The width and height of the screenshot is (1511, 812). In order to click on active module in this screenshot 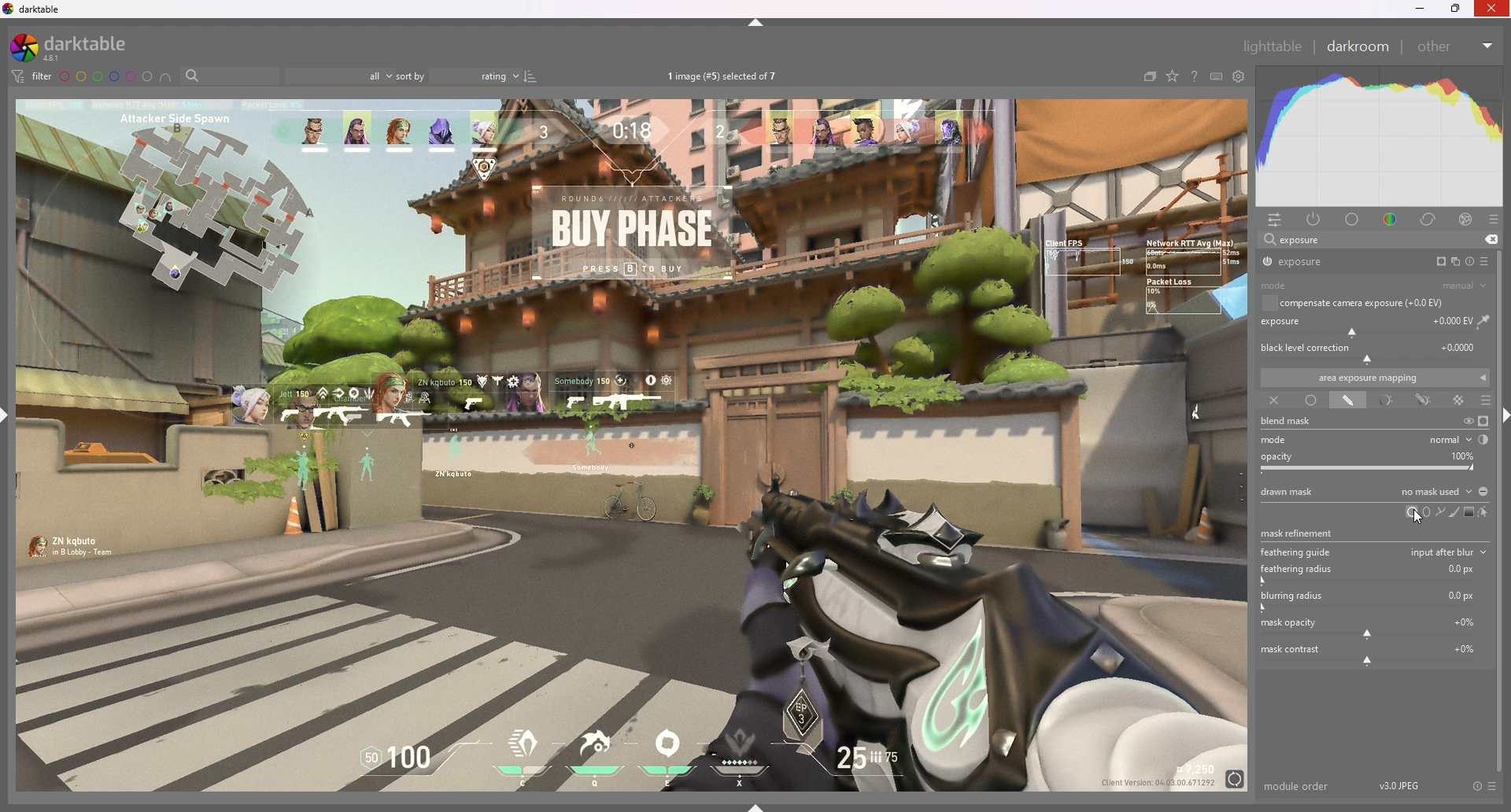, I will do `click(1316, 220)`.